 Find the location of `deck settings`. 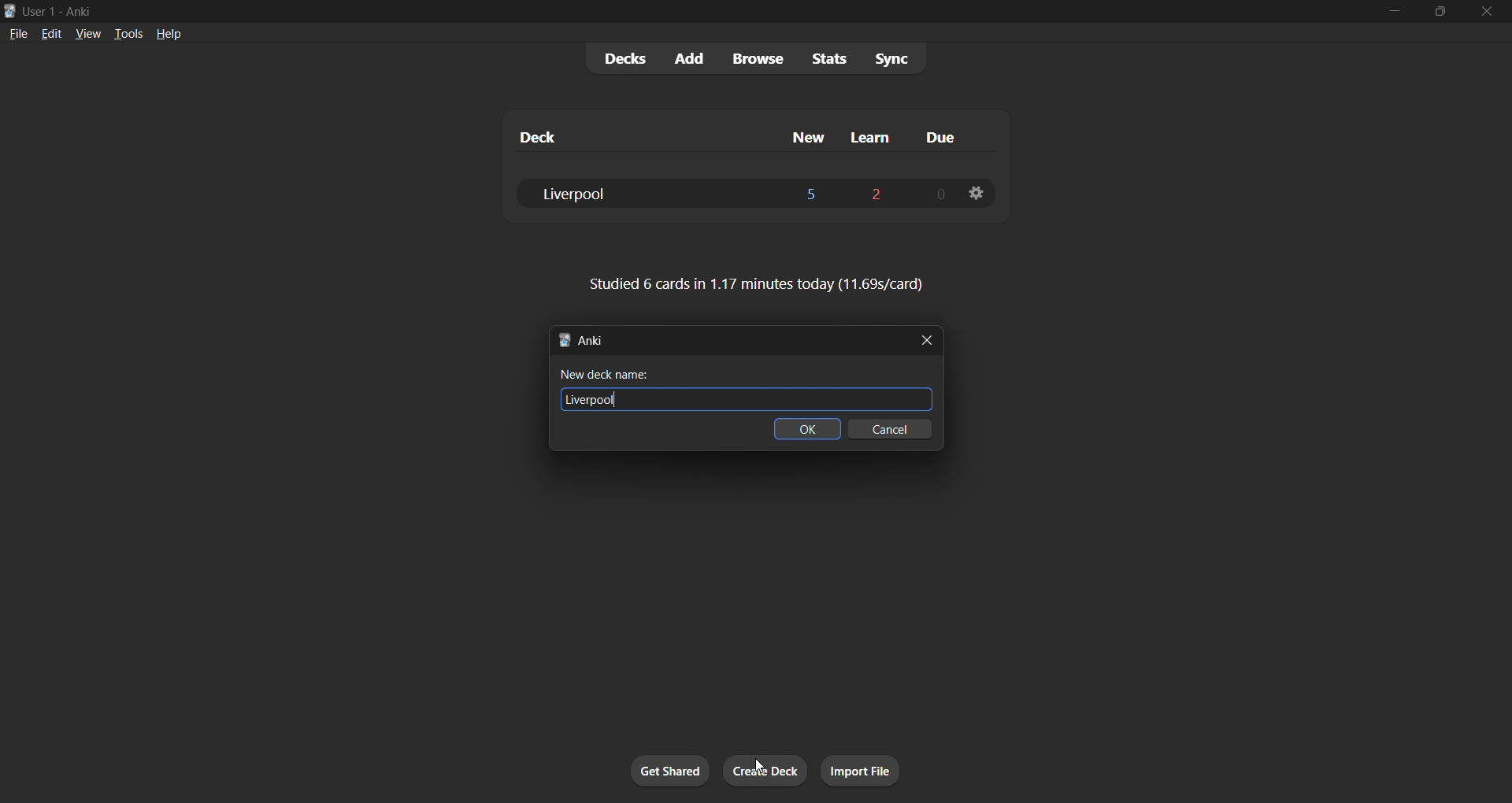

deck settings is located at coordinates (976, 193).